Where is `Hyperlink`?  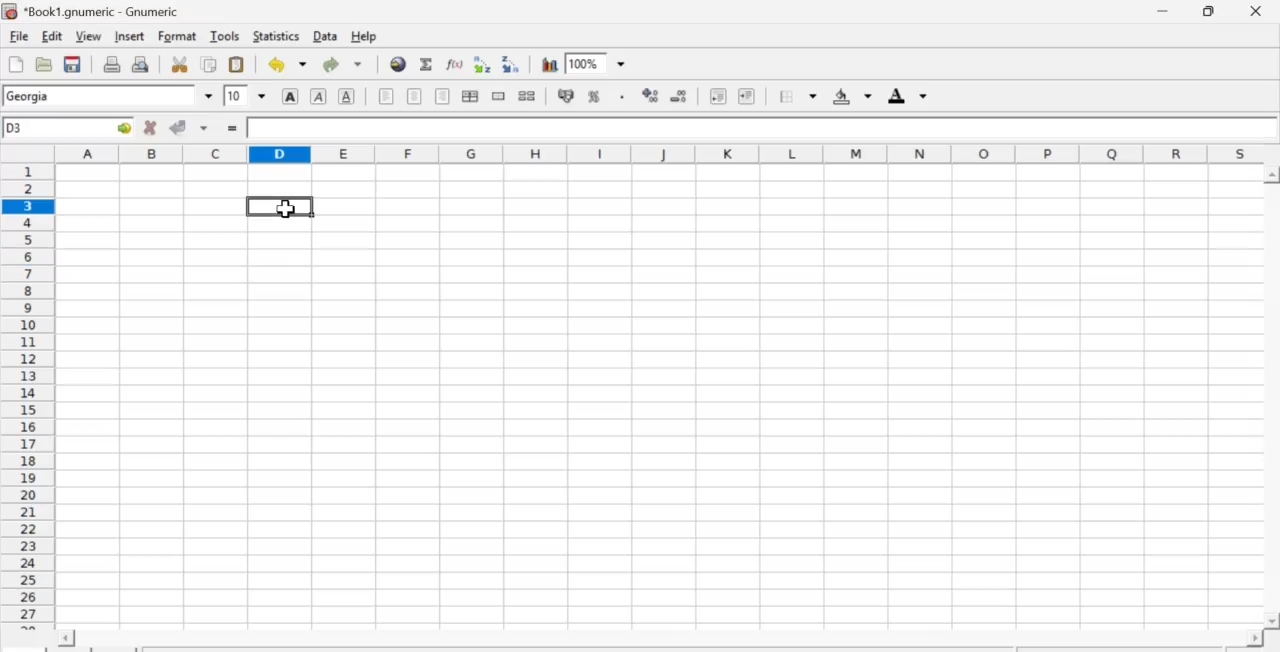
Hyperlink is located at coordinates (398, 65).